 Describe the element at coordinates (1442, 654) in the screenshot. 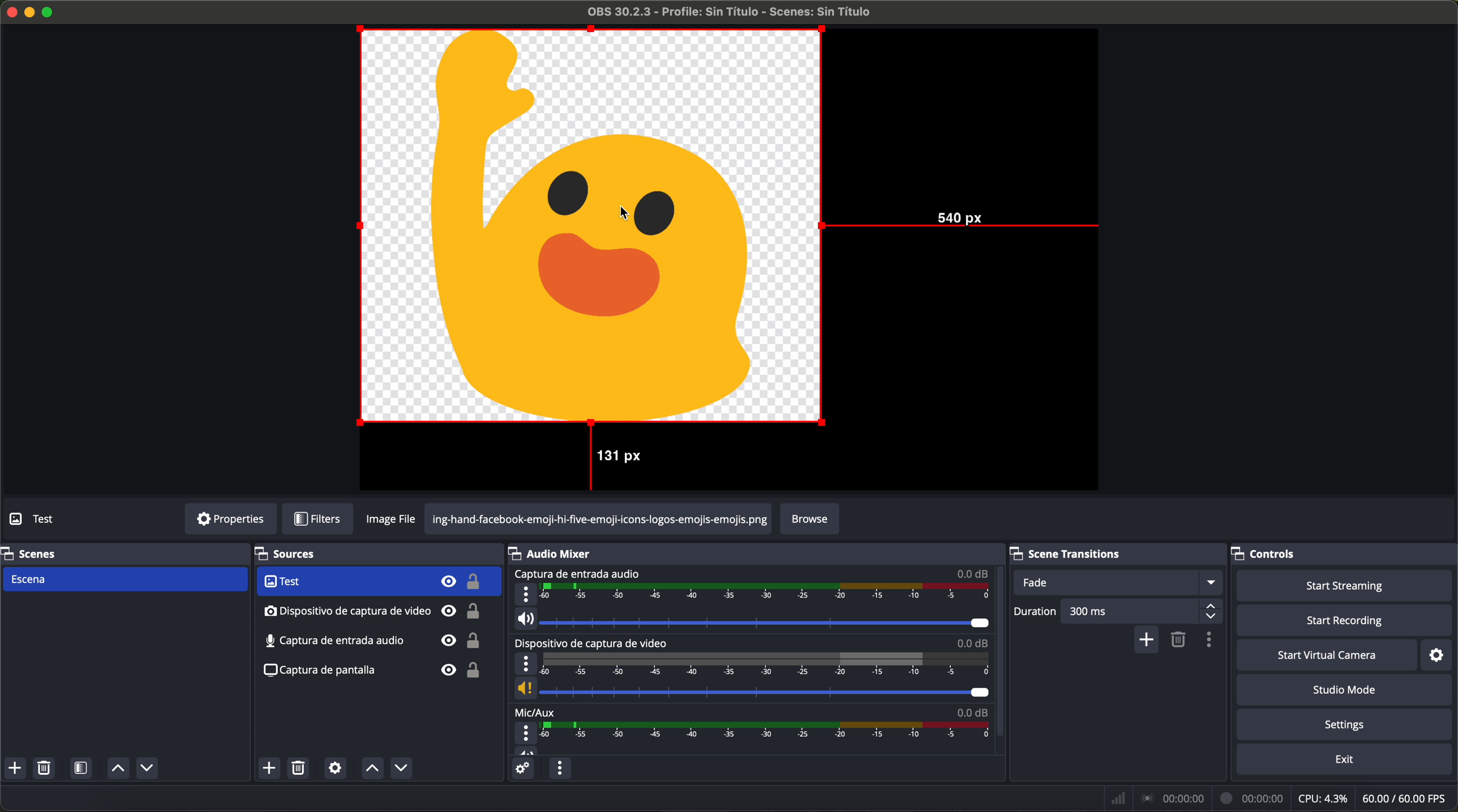

I see `settings` at that location.